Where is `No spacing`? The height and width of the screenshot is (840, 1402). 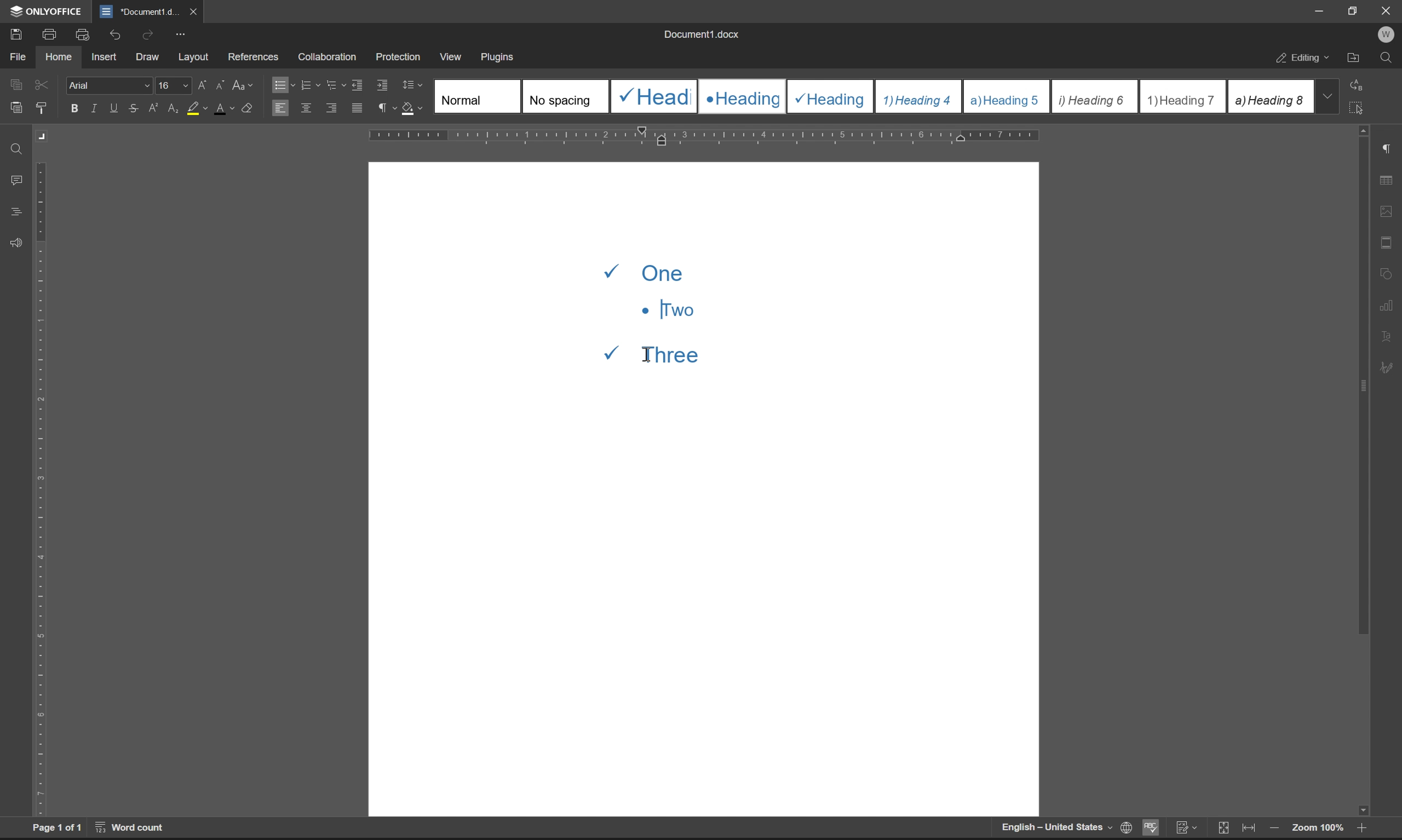
No spacing is located at coordinates (564, 96).